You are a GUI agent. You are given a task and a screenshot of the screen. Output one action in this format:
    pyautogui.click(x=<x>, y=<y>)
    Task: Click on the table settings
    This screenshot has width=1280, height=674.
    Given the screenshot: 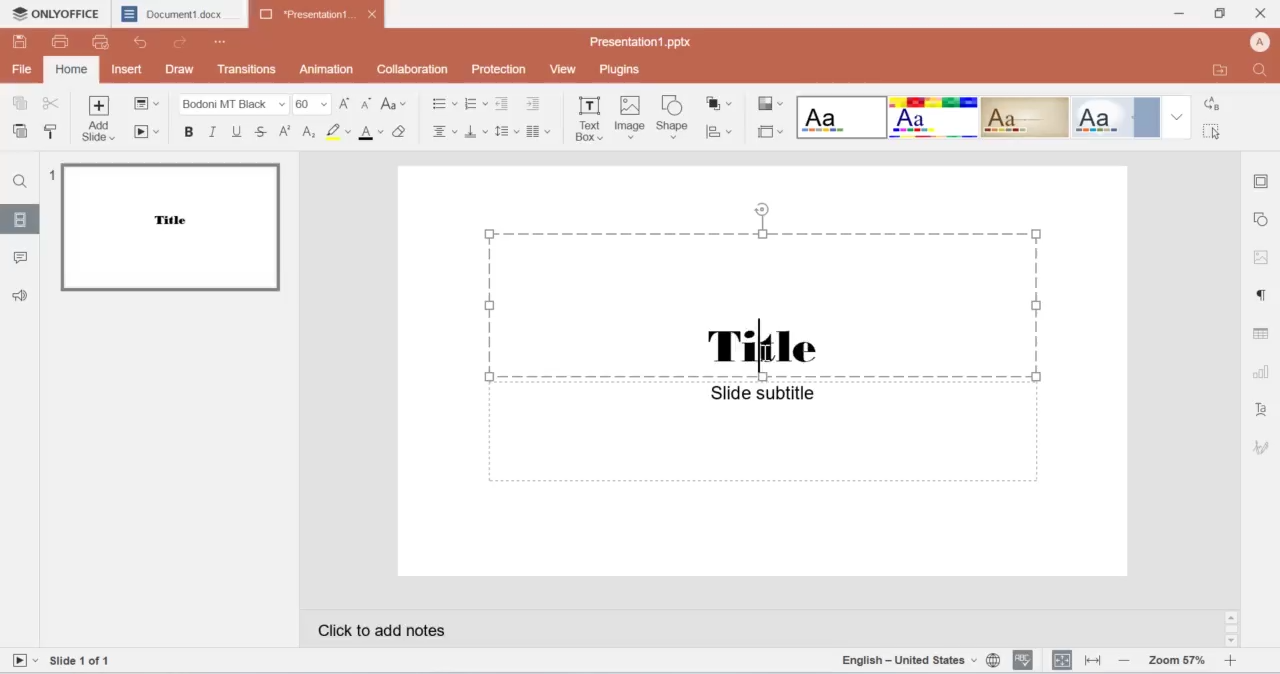 What is the action you would take?
    pyautogui.click(x=1262, y=335)
    